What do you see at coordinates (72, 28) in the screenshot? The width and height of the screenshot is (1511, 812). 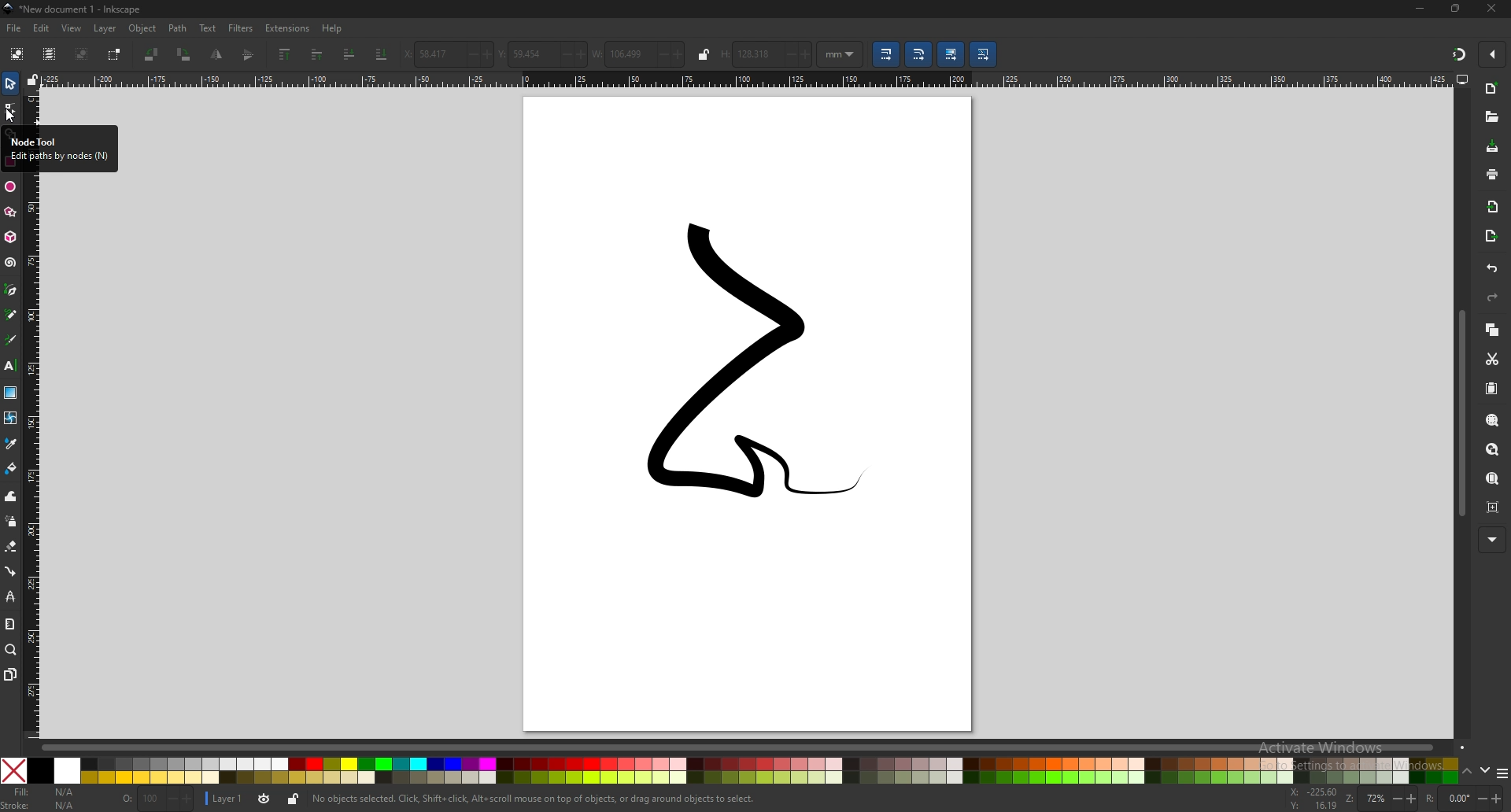 I see `view` at bounding box center [72, 28].